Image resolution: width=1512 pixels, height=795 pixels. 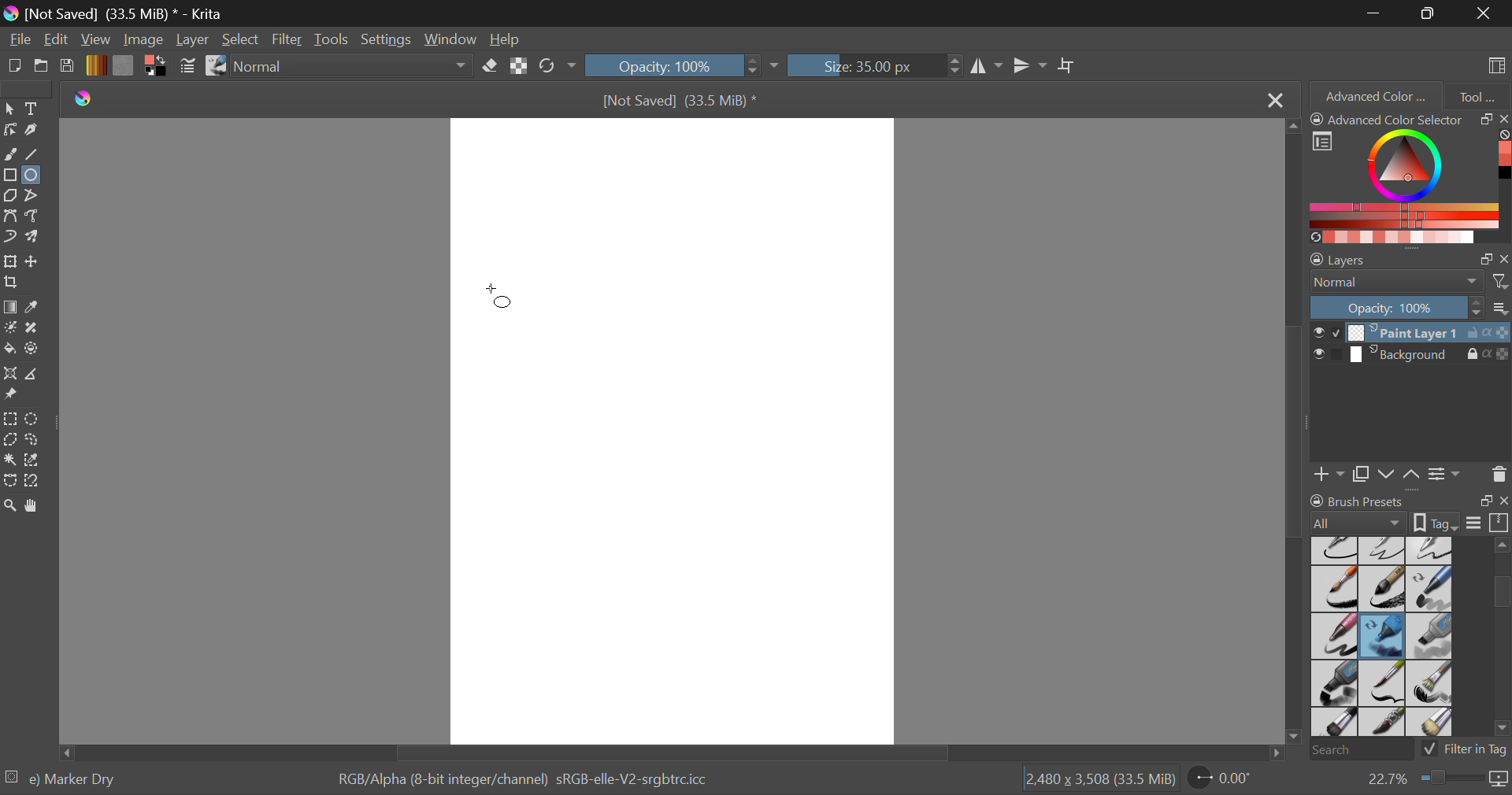 What do you see at coordinates (9, 238) in the screenshot?
I see `Dynamic Brush Tool` at bounding box center [9, 238].